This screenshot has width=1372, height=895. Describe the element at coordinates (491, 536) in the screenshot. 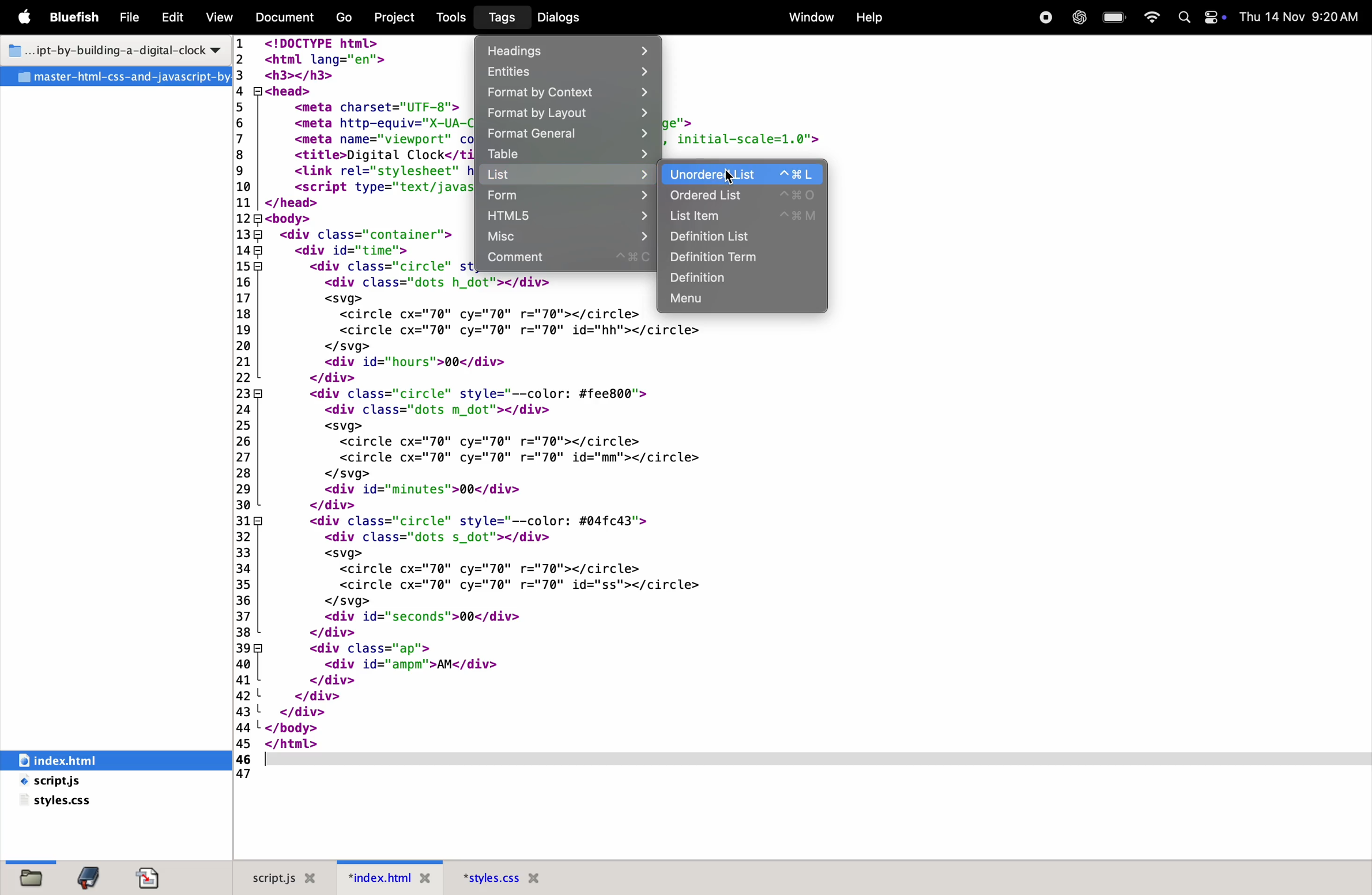

I see `code block` at that location.